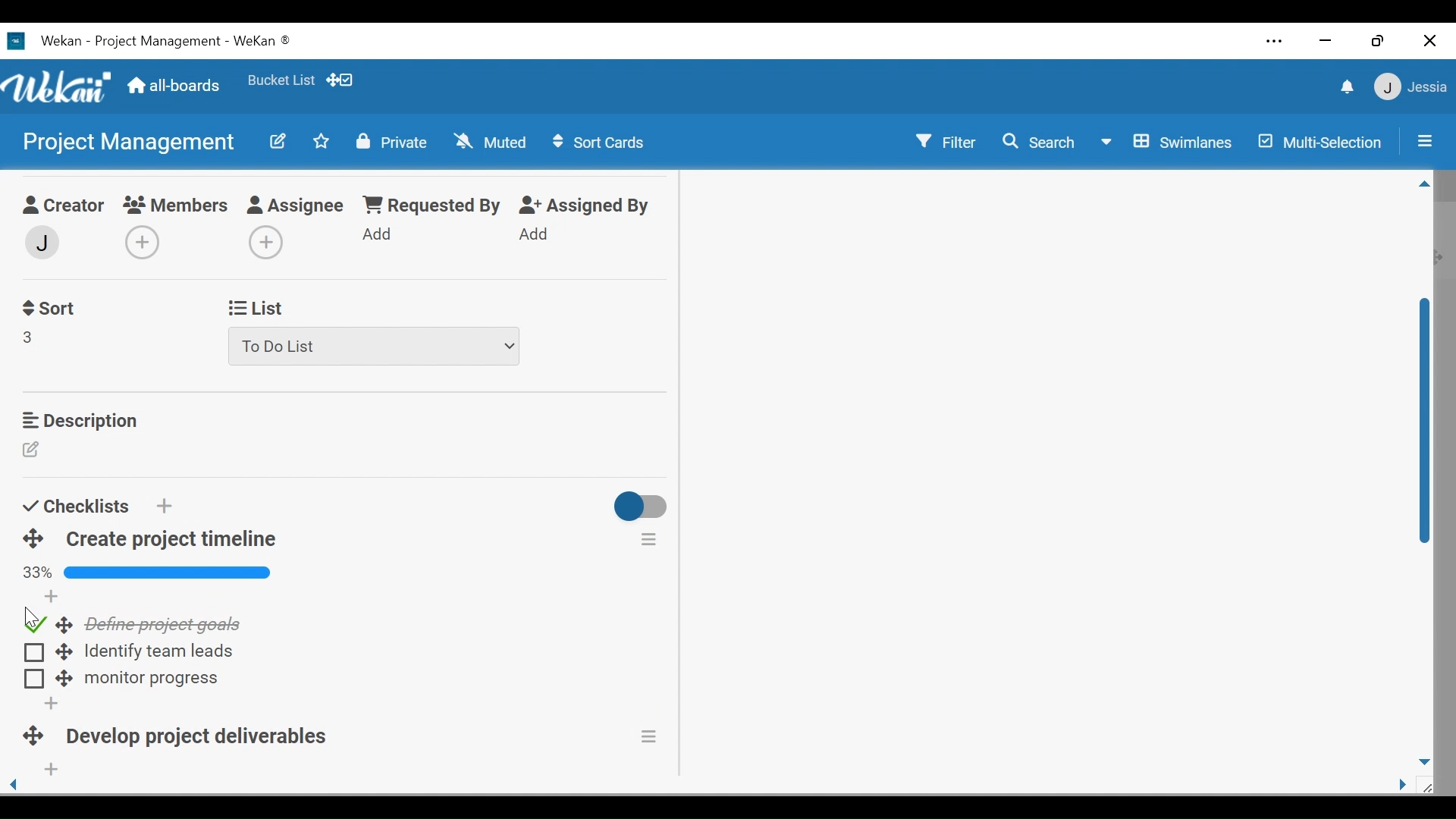 The image size is (1456, 819). Describe the element at coordinates (642, 509) in the screenshot. I see `Toggle show/hide checklist` at that location.